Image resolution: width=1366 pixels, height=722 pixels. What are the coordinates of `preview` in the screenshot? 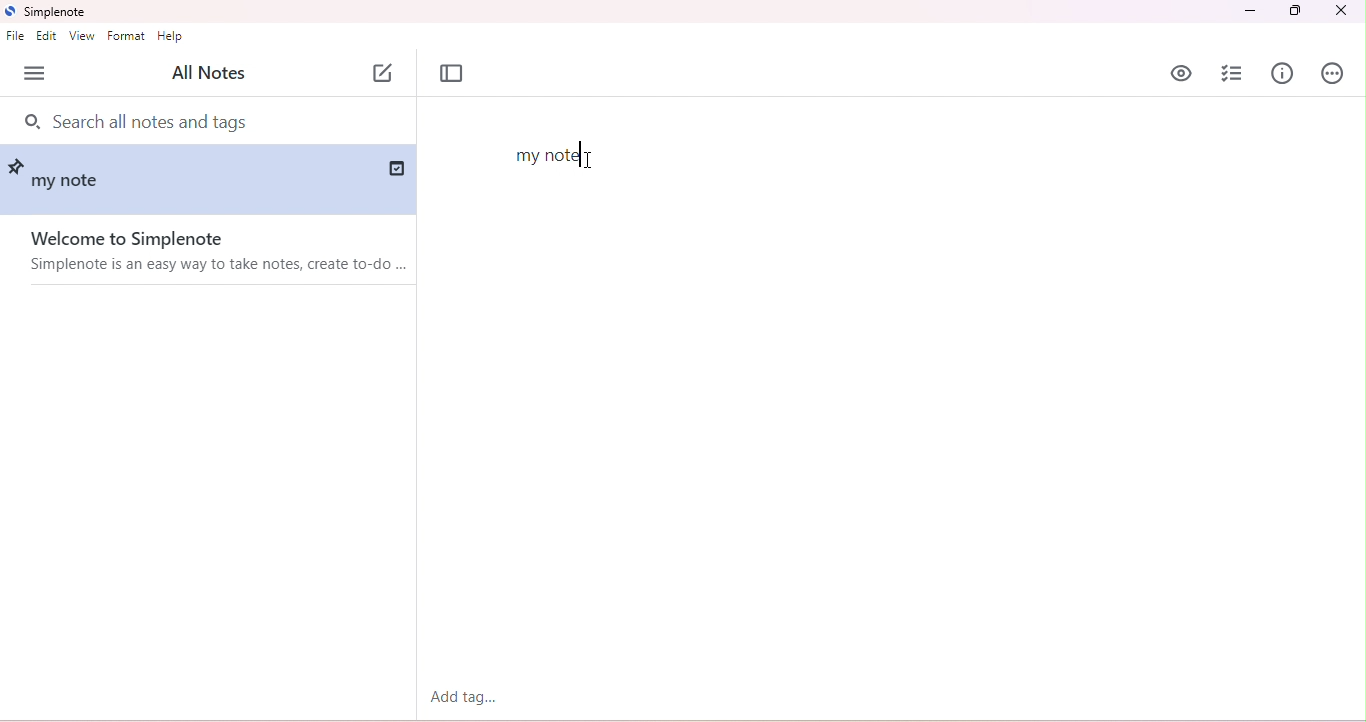 It's located at (1182, 73).